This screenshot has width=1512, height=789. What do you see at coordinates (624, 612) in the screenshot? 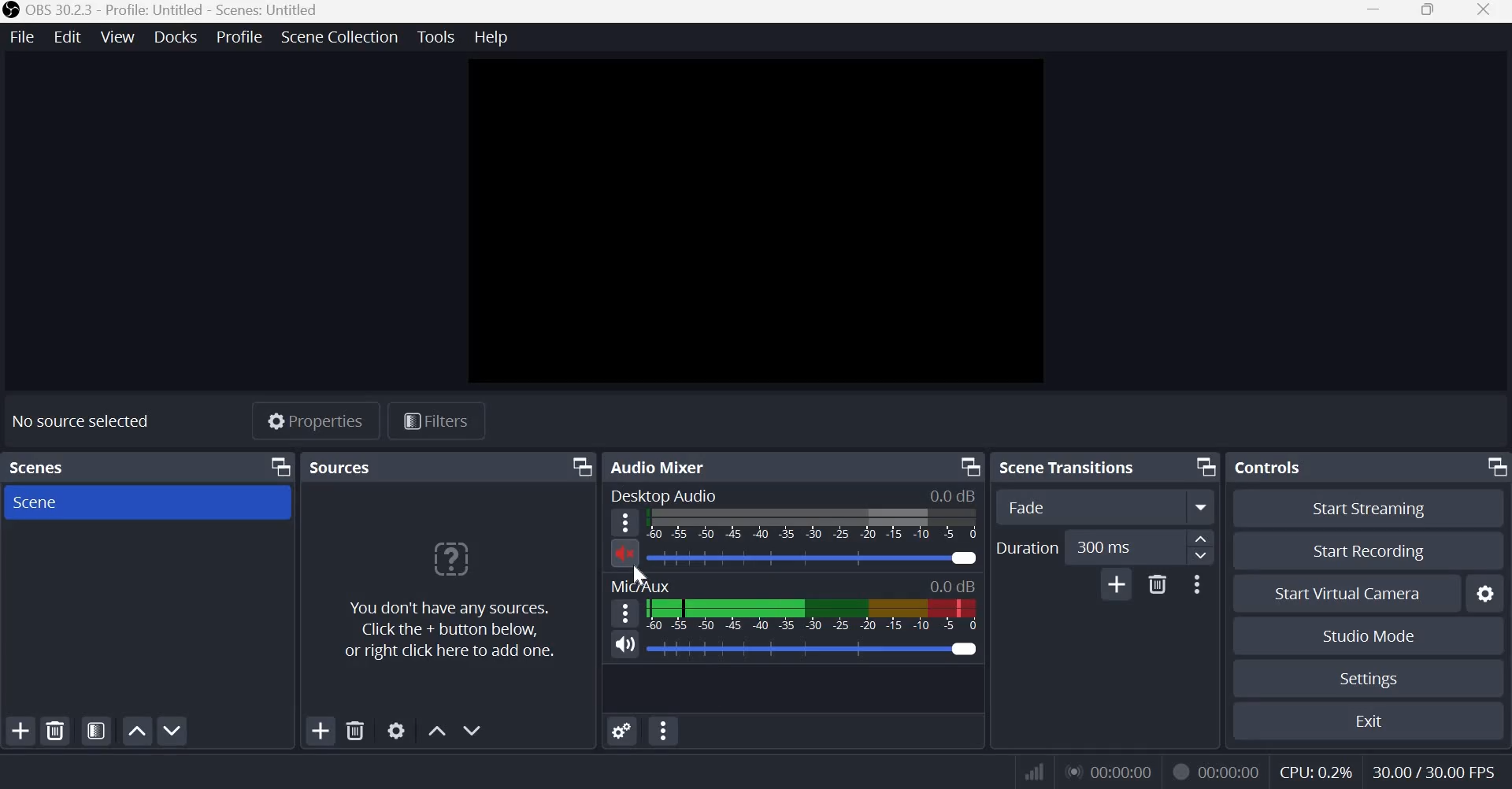
I see `hamburger menu` at bounding box center [624, 612].